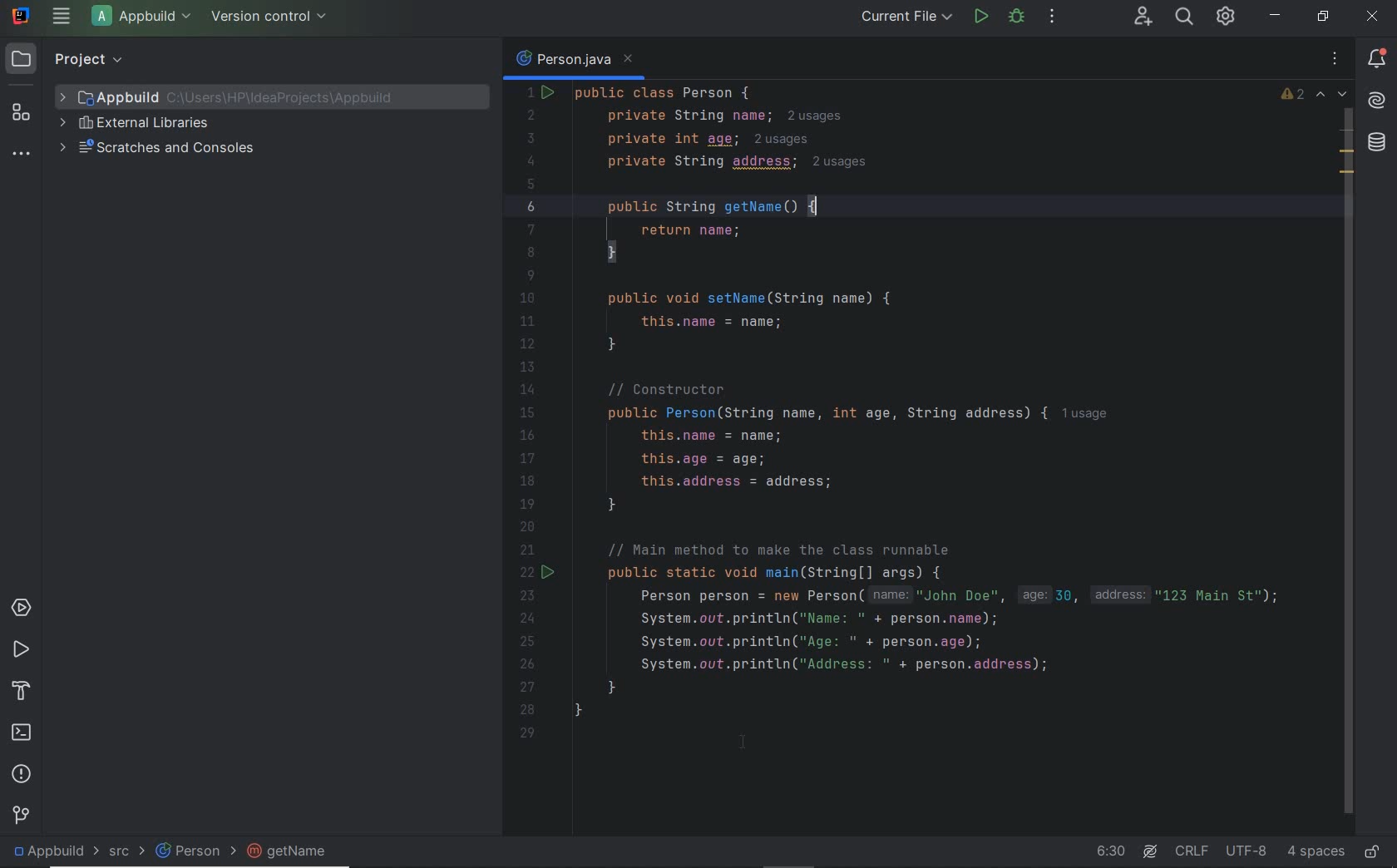  I want to click on problems, so click(20, 772).